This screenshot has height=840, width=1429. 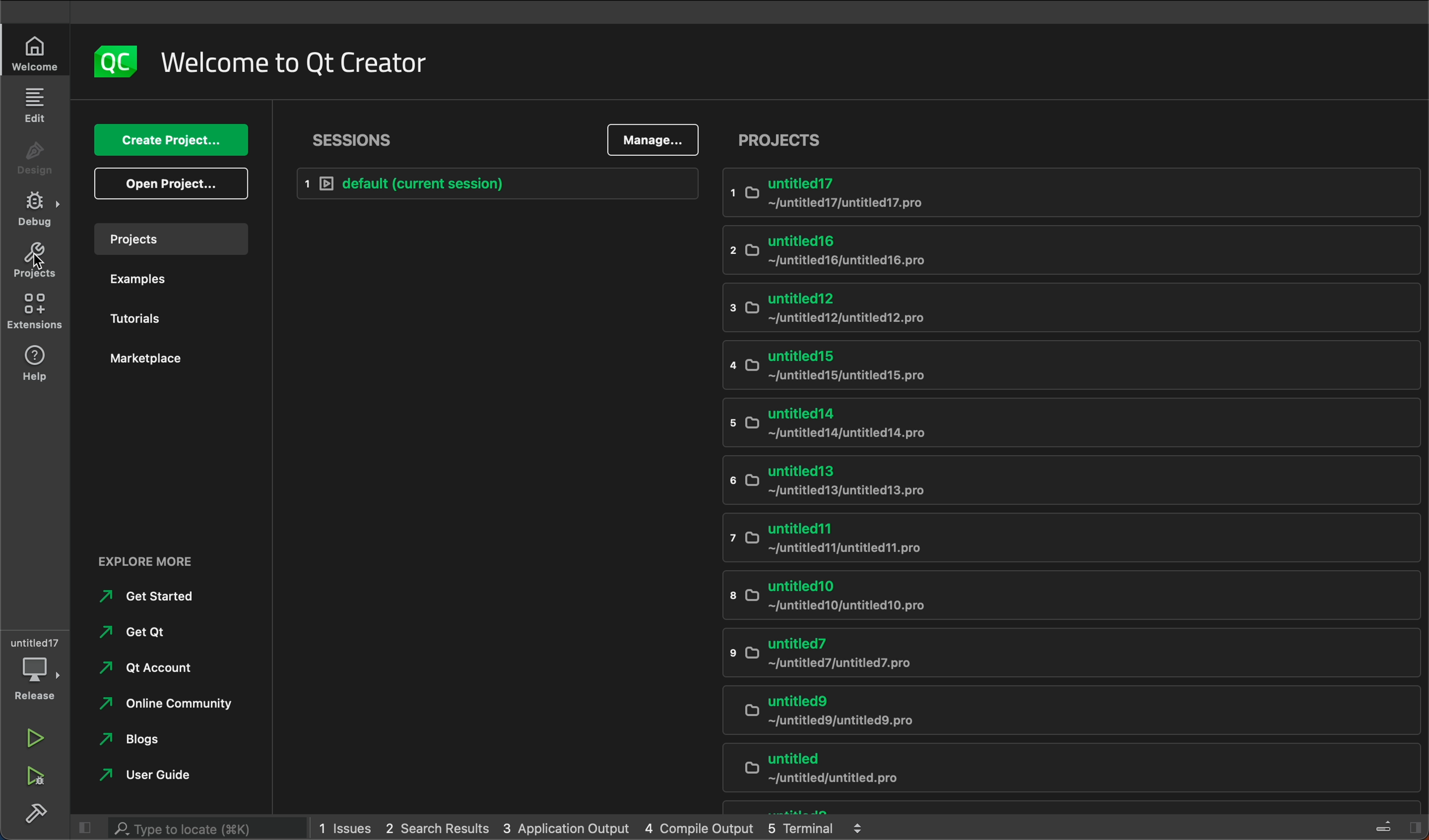 I want to click on manage, so click(x=652, y=141).